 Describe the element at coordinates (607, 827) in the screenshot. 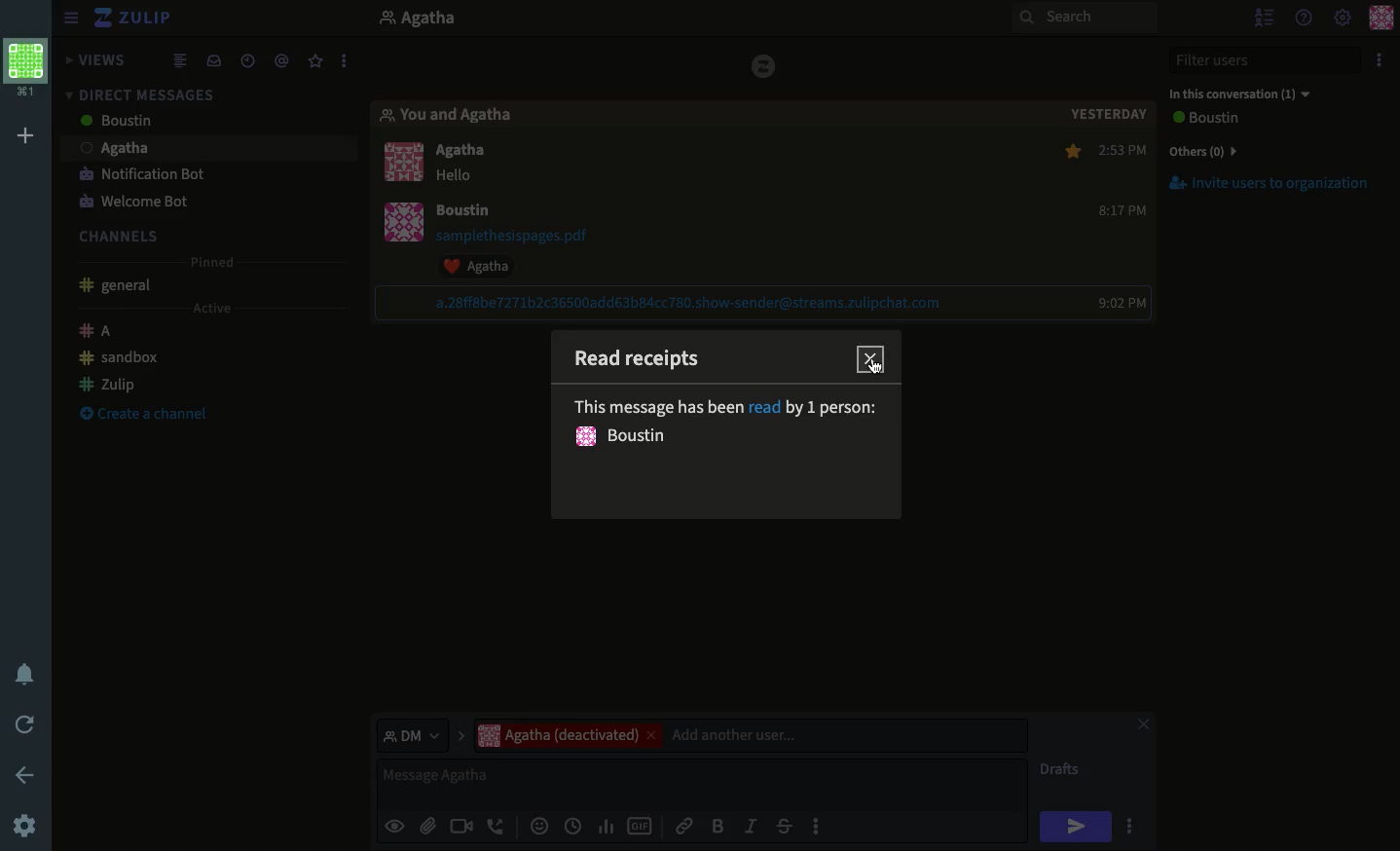

I see `Chart` at that location.